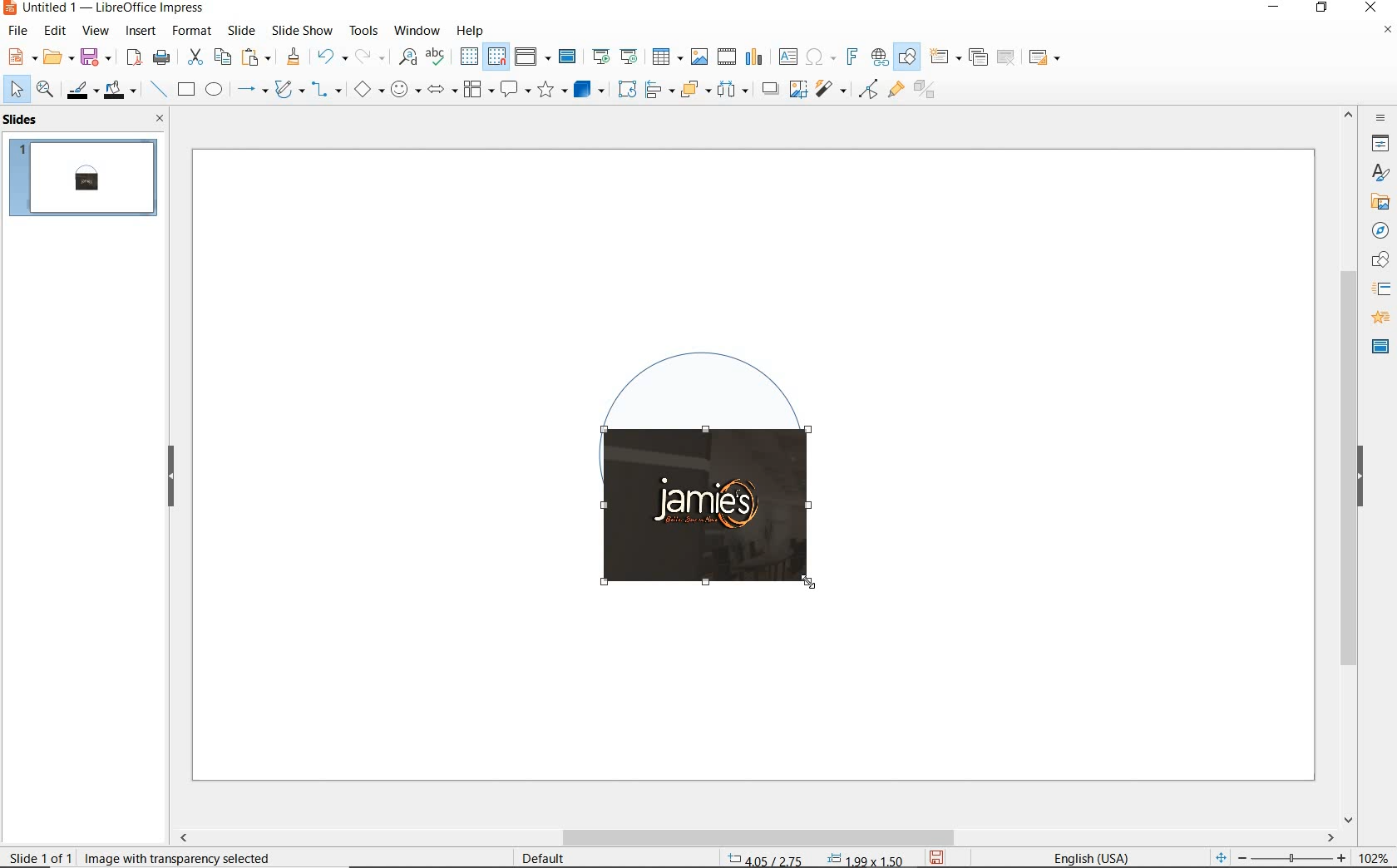 Image resolution: width=1397 pixels, height=868 pixels. I want to click on toggle extrusion, so click(929, 91).